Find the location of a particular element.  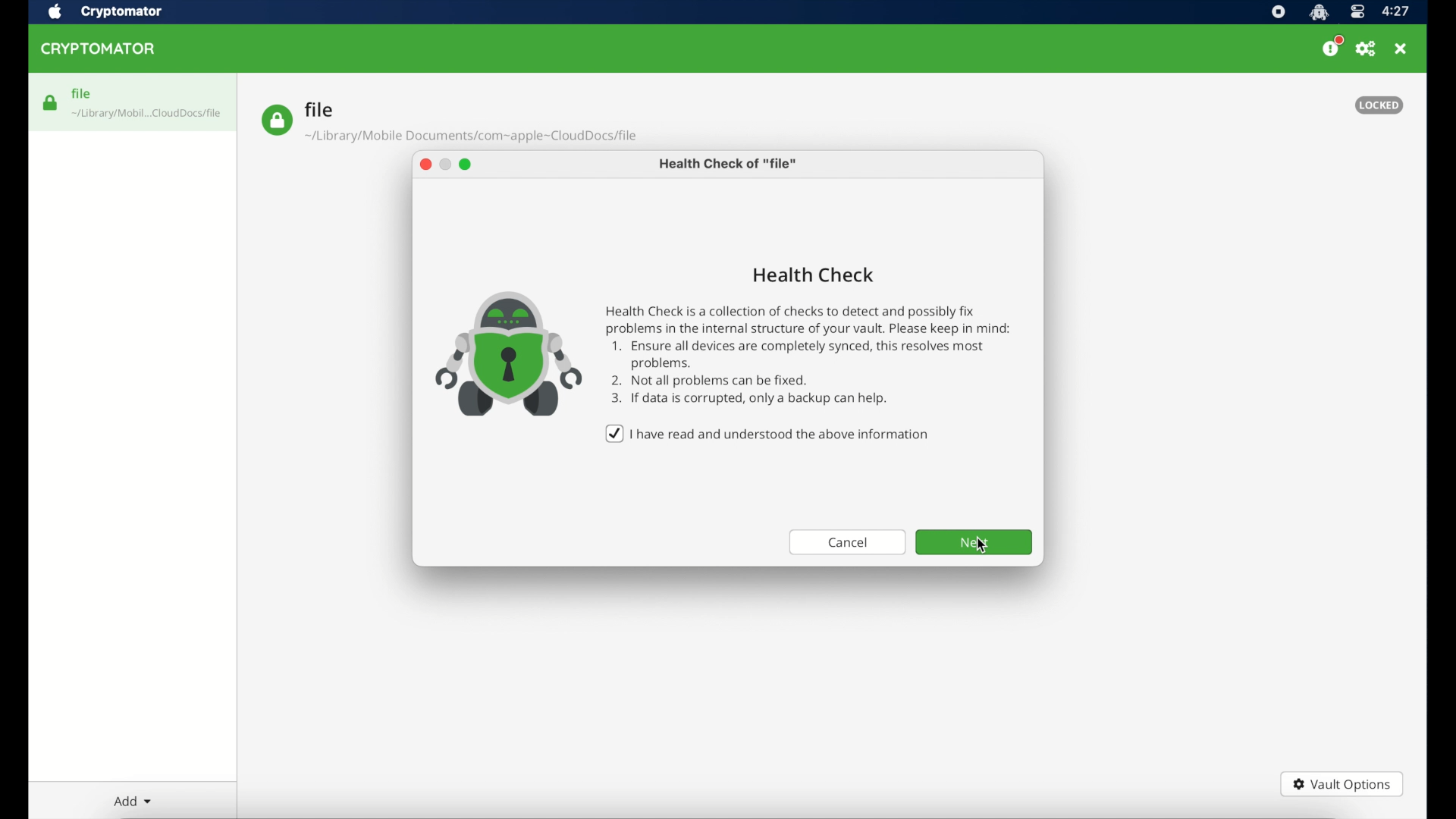

maximize is located at coordinates (469, 166).